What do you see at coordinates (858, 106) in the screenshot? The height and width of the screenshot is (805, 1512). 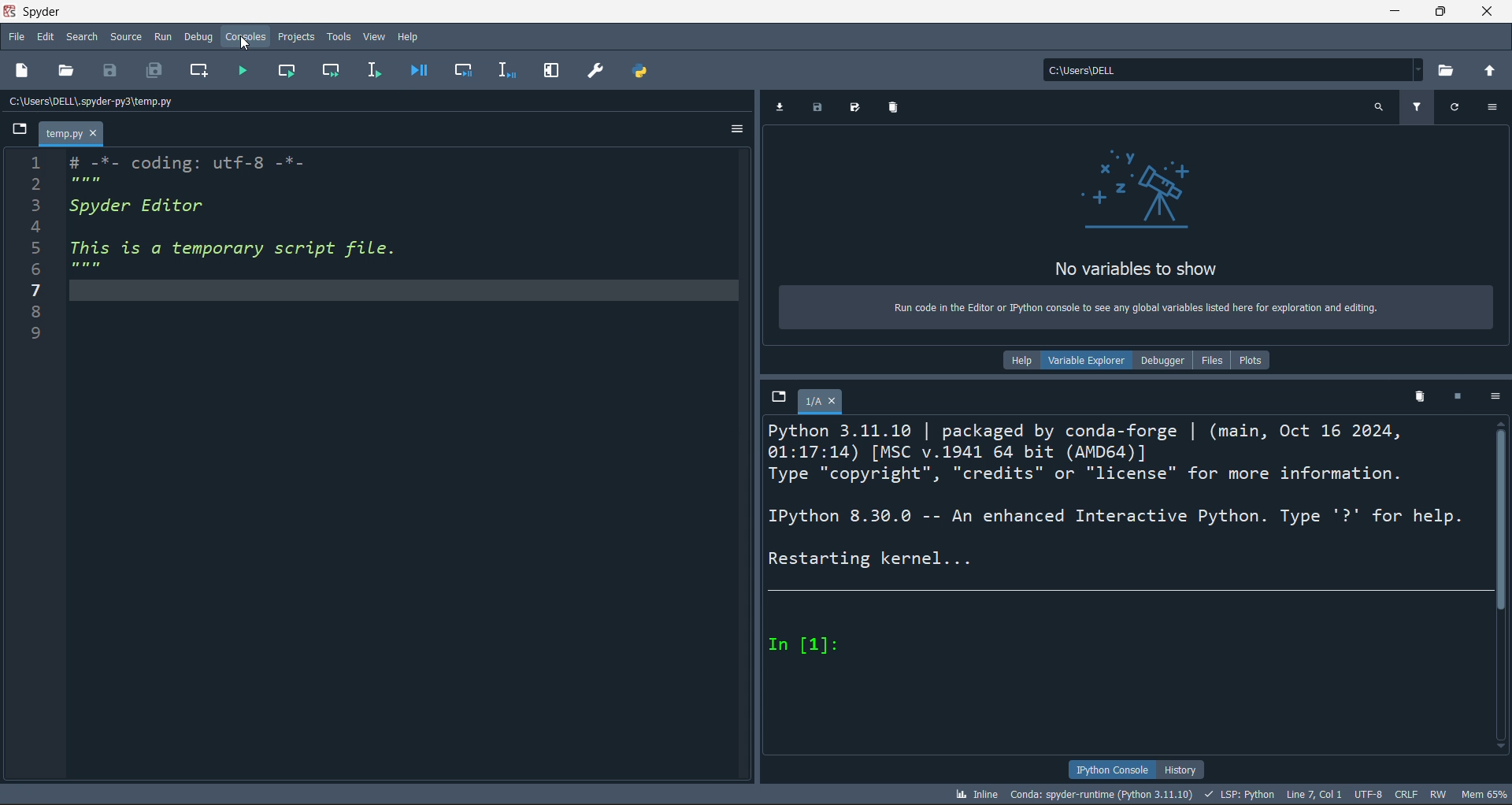 I see `save all` at bounding box center [858, 106].